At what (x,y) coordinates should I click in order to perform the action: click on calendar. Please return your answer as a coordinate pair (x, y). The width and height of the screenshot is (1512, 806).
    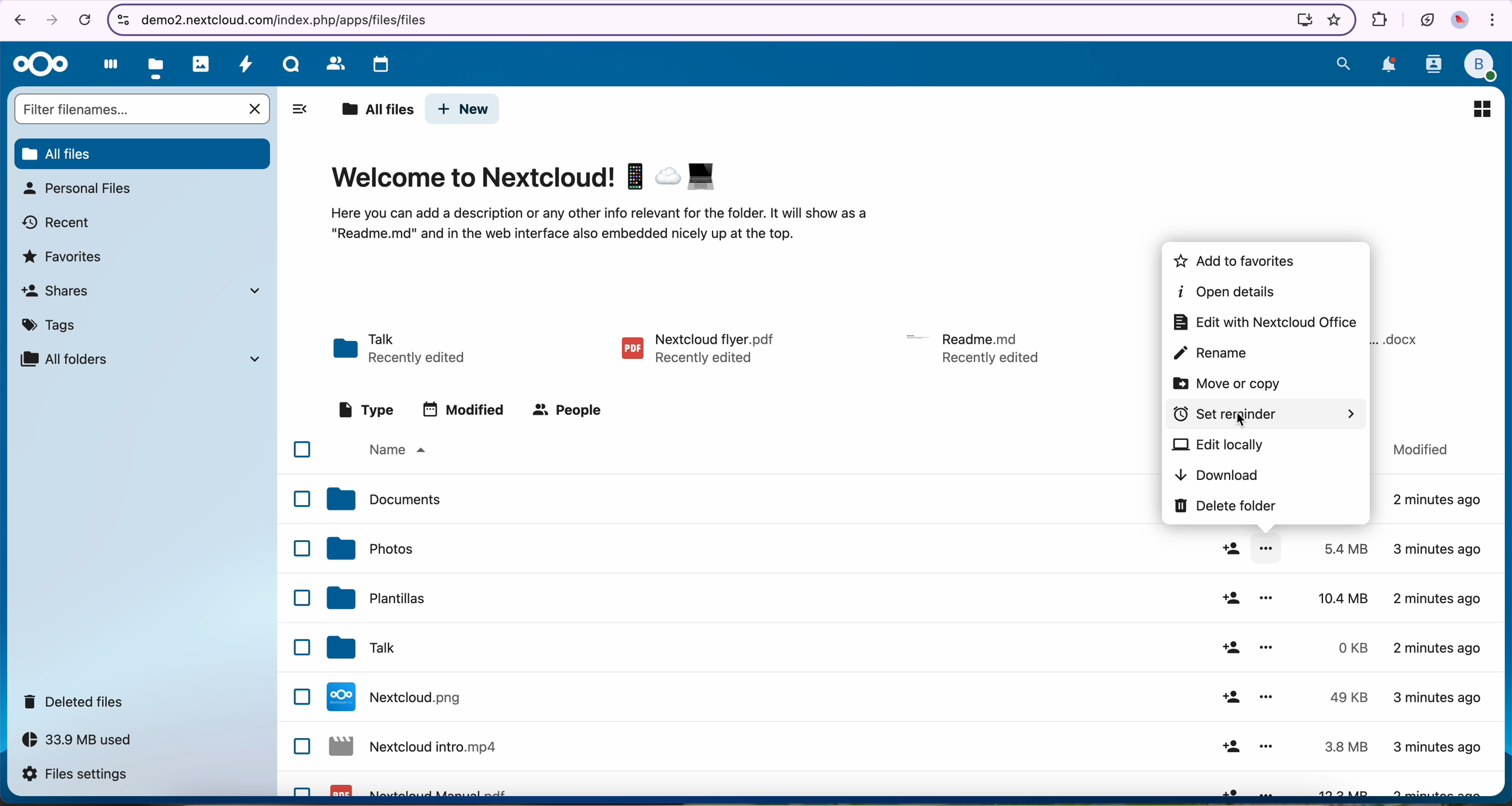
    Looking at the image, I should click on (374, 61).